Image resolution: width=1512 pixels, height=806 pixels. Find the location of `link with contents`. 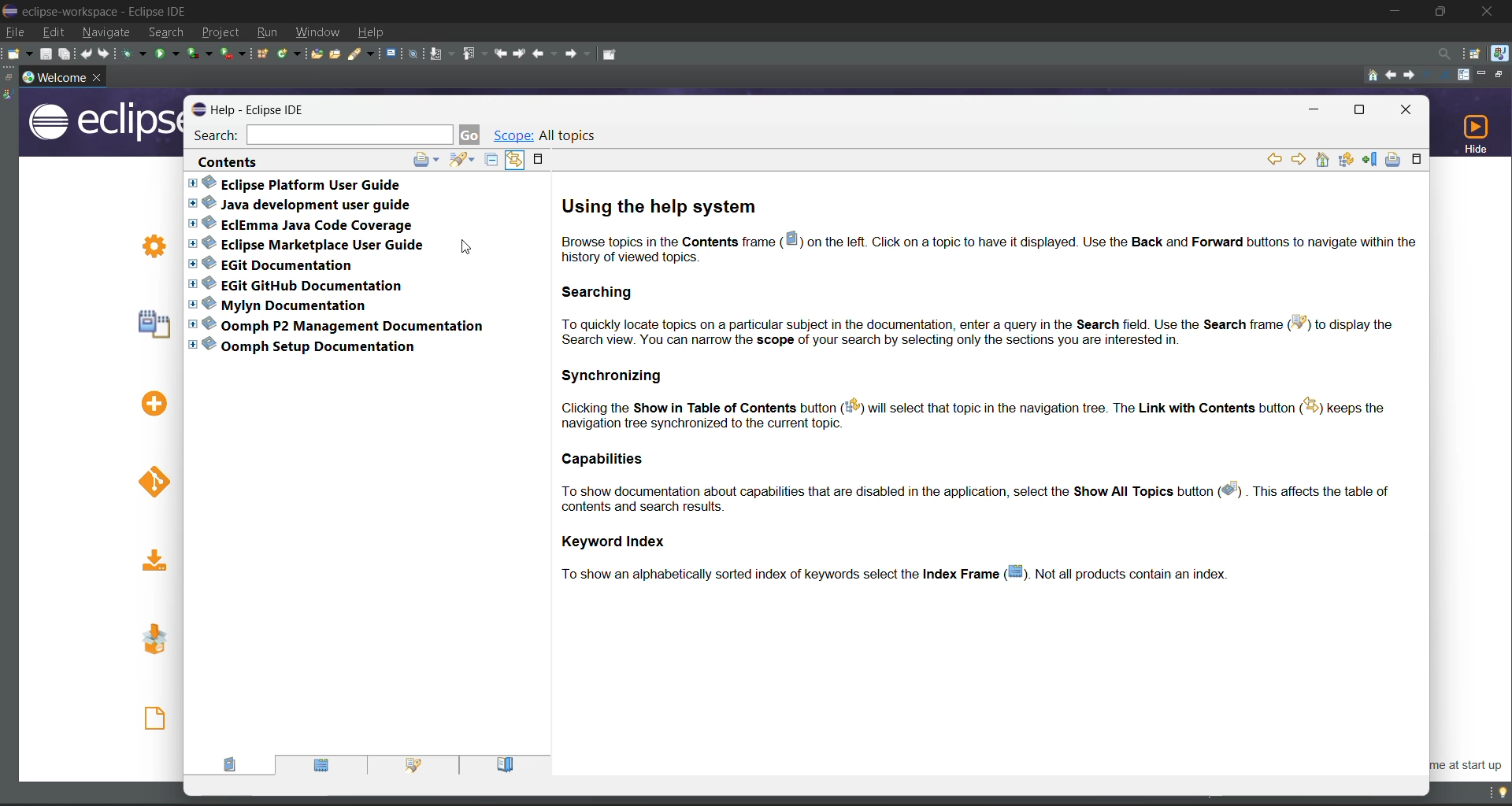

link with contents is located at coordinates (514, 160).